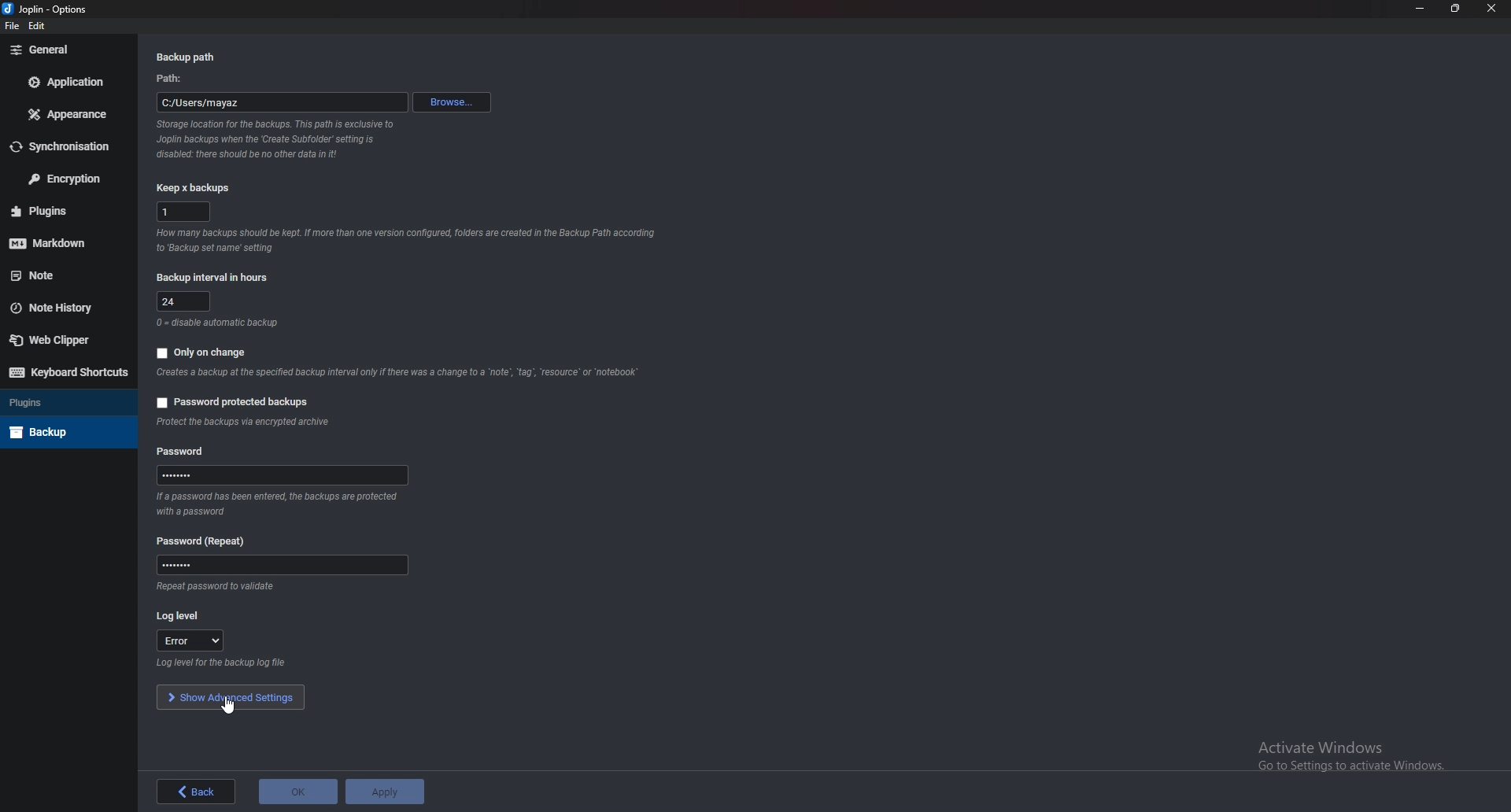 The height and width of the screenshot is (812, 1511). I want to click on Backup interval in hours, so click(216, 277).